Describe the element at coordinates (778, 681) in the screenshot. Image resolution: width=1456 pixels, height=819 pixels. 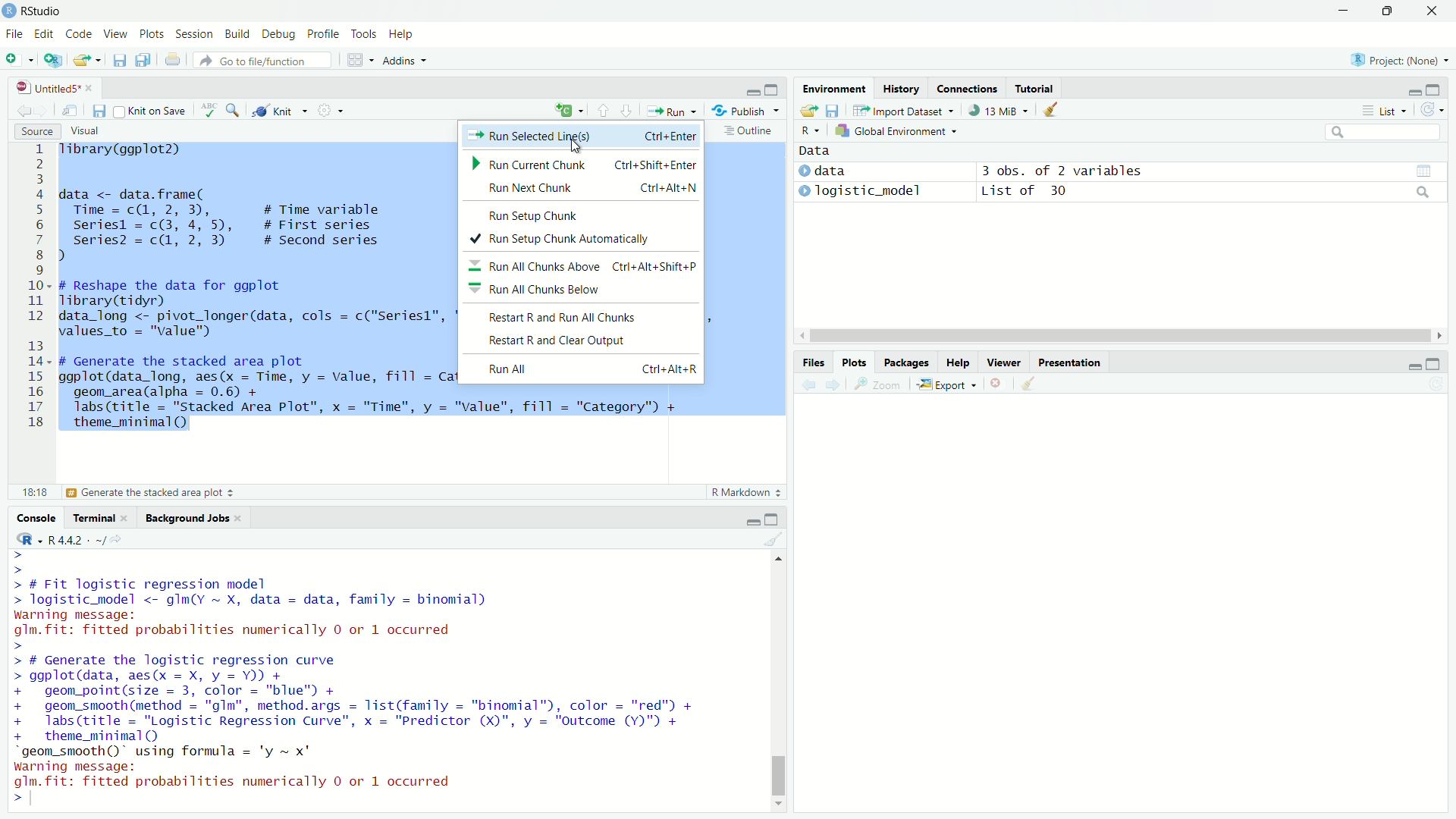
I see `scroll bar` at that location.